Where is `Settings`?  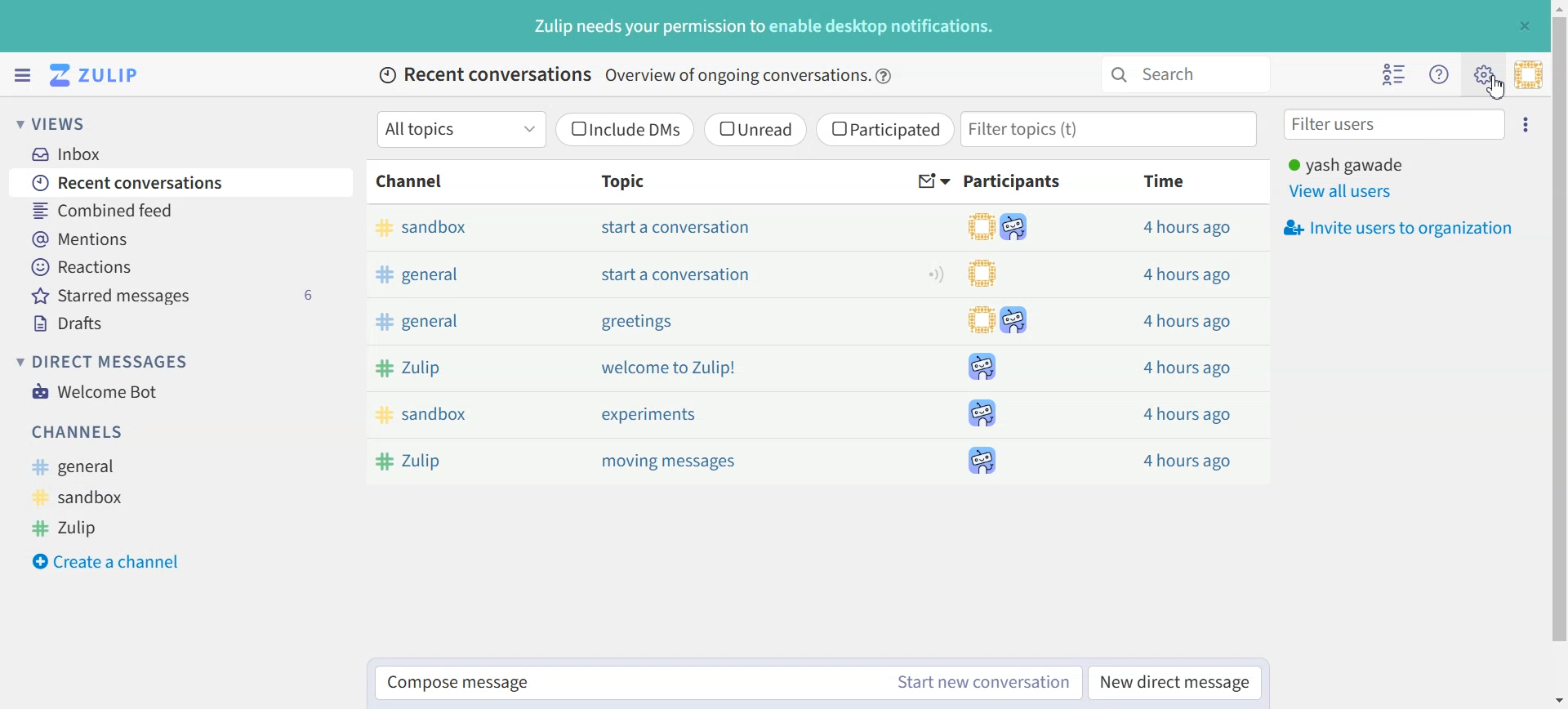 Settings is located at coordinates (1528, 123).